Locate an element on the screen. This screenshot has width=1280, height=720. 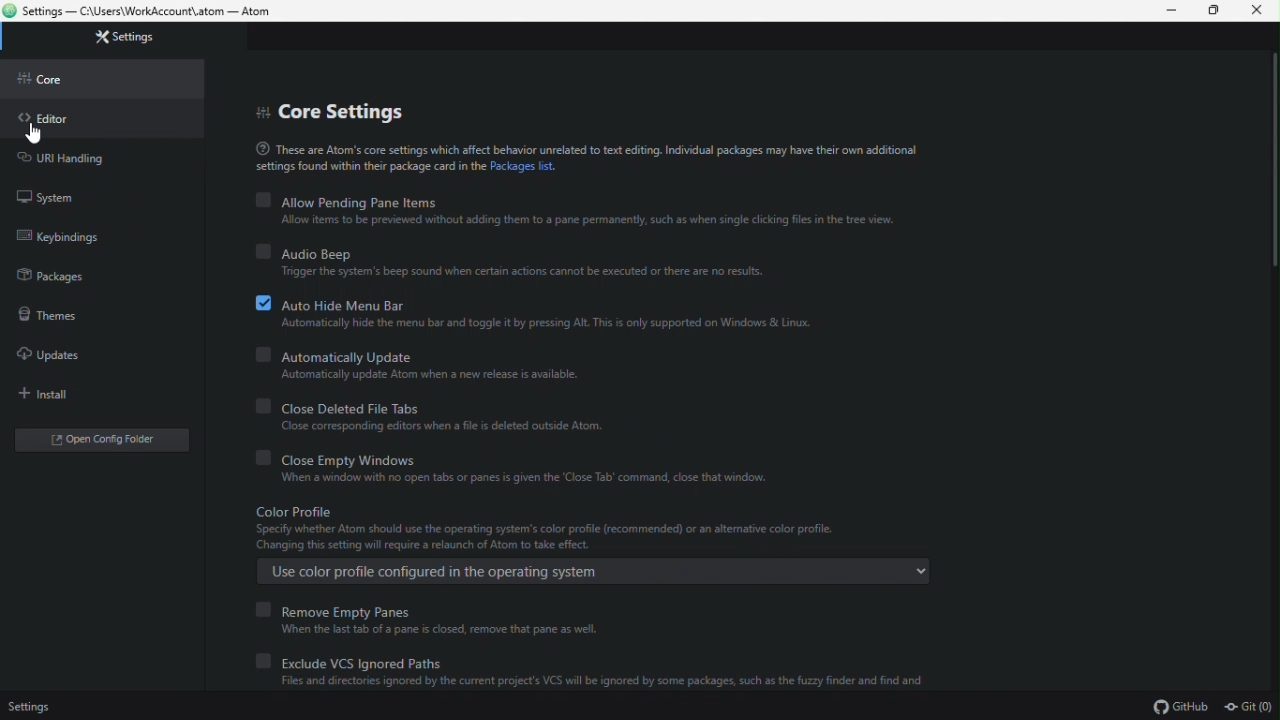
Files and directories ignored by the current project's VCS will be ignored by some packages, such as the fuzzy finder and find and is located at coordinates (611, 682).